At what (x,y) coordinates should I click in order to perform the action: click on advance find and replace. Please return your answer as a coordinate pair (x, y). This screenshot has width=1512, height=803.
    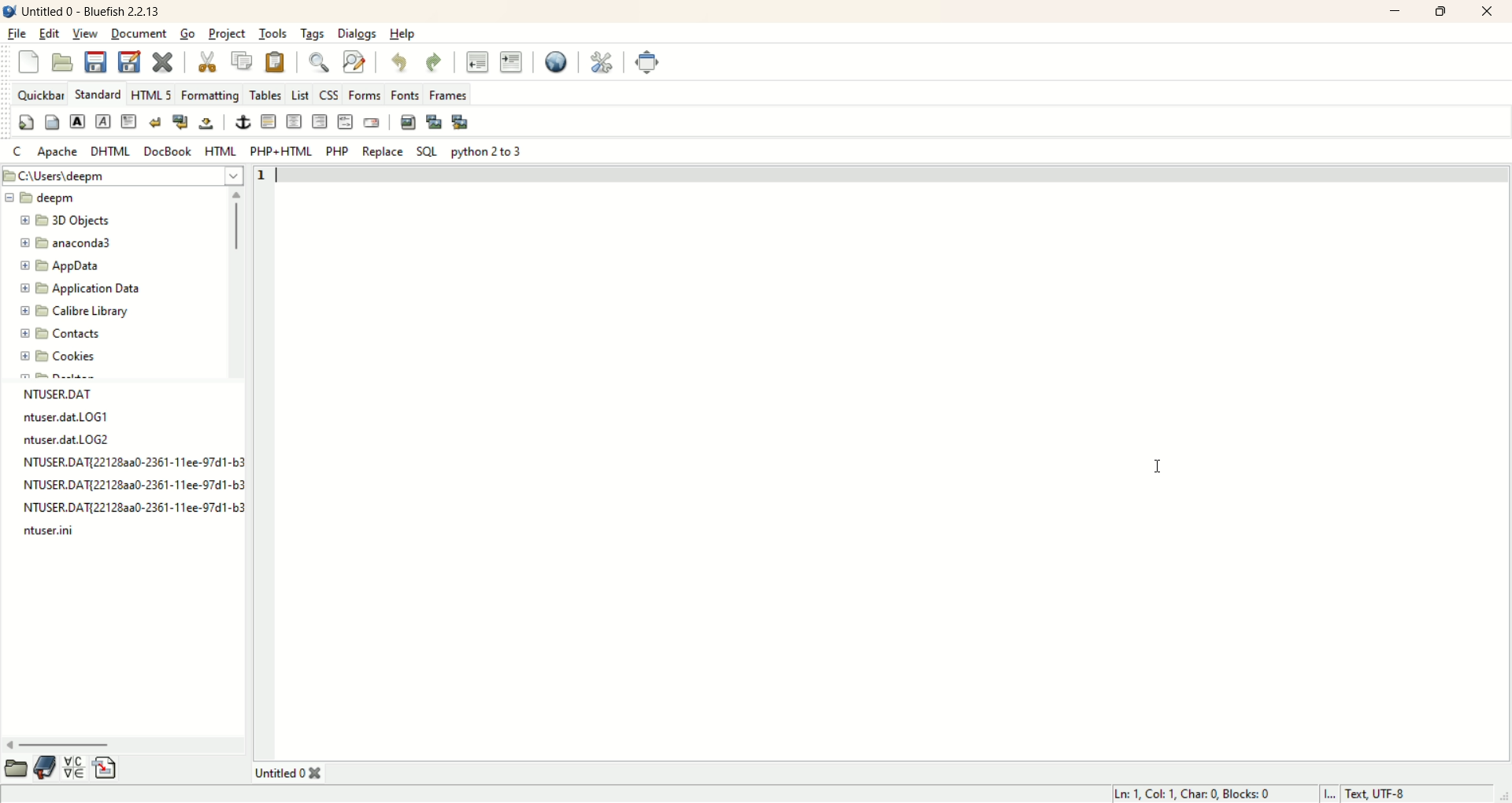
    Looking at the image, I should click on (352, 65).